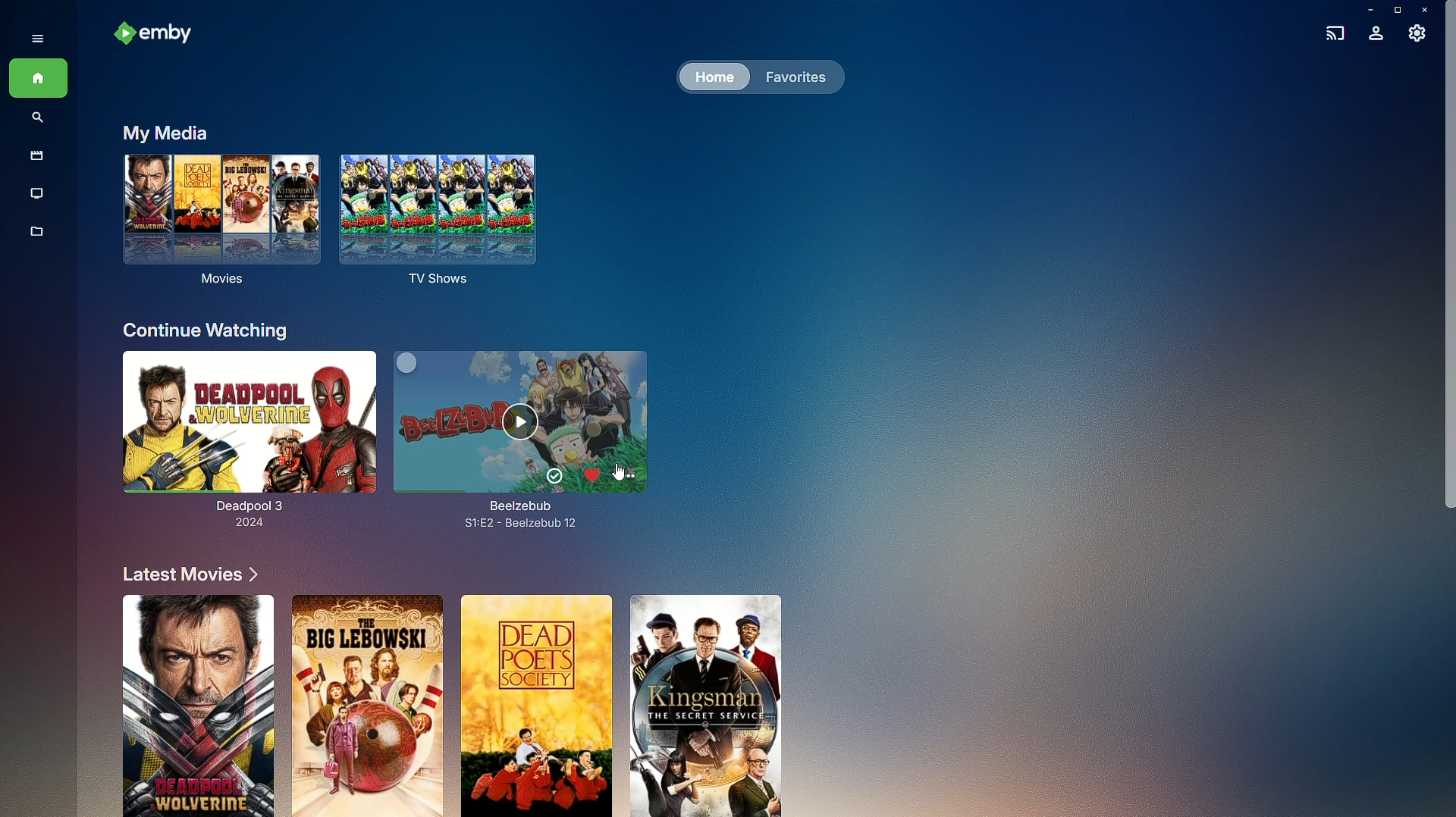 Image resolution: width=1456 pixels, height=817 pixels. What do you see at coordinates (206, 330) in the screenshot?
I see `Continue Watching` at bounding box center [206, 330].